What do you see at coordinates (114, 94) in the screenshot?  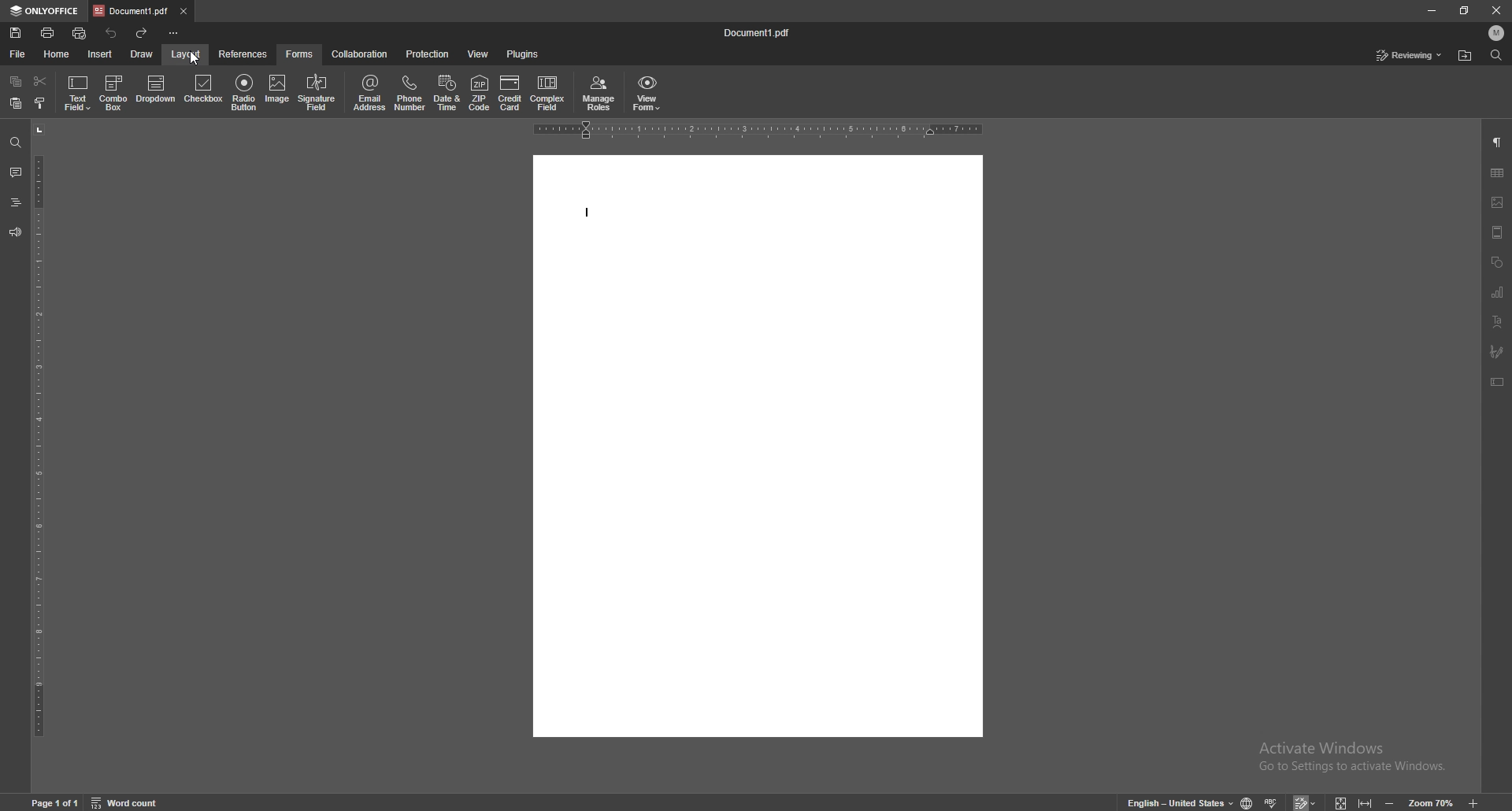 I see `combo box` at bounding box center [114, 94].